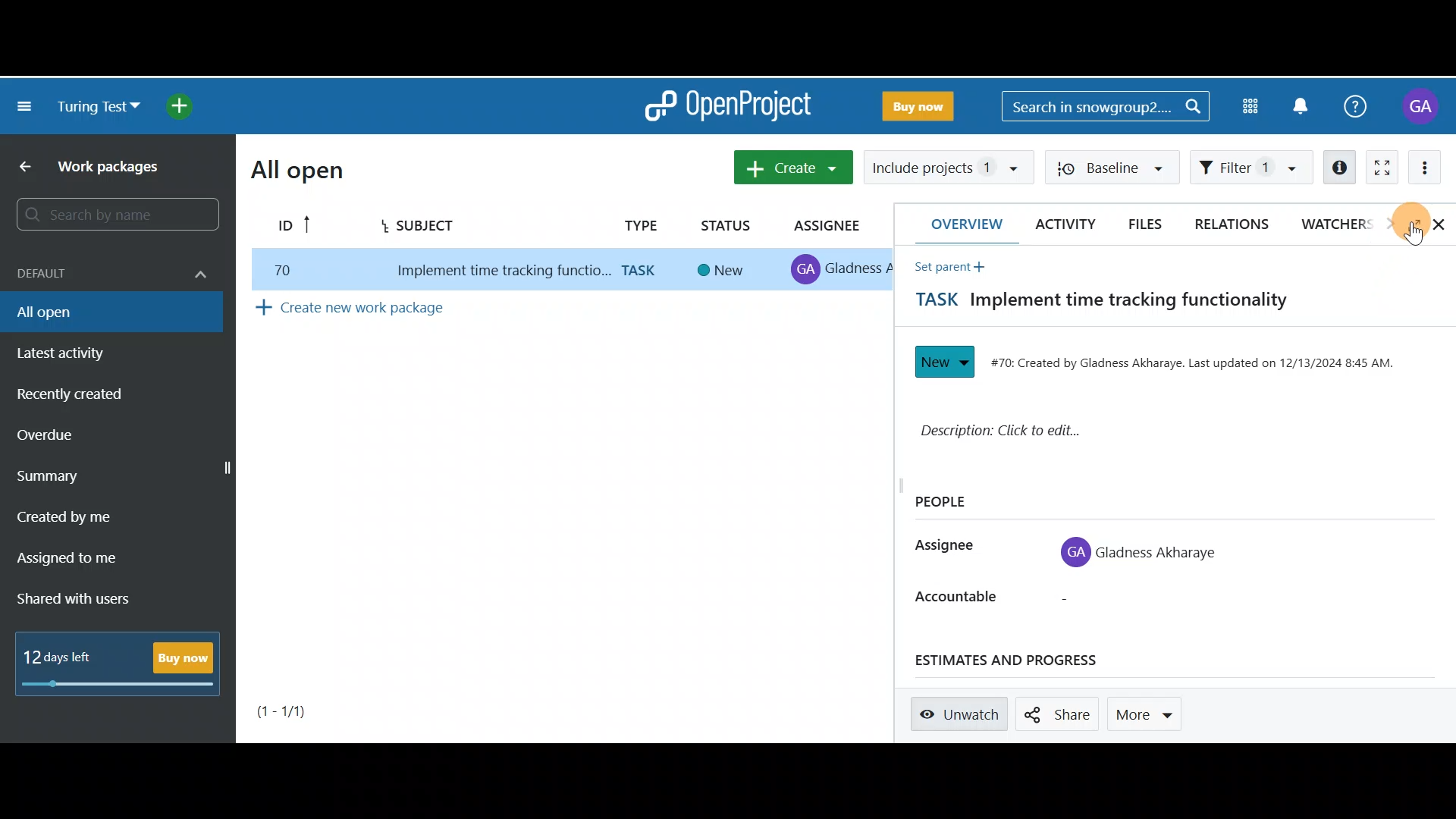 This screenshot has height=819, width=1456. What do you see at coordinates (1134, 300) in the screenshot?
I see `Implement time tracking functionality` at bounding box center [1134, 300].